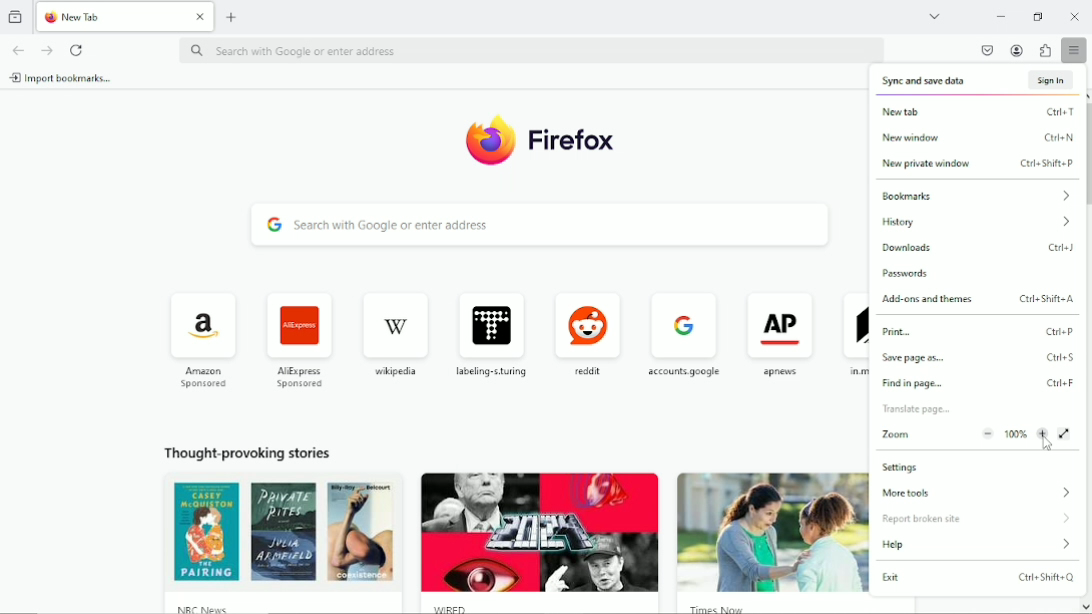  I want to click on history, so click(978, 224).